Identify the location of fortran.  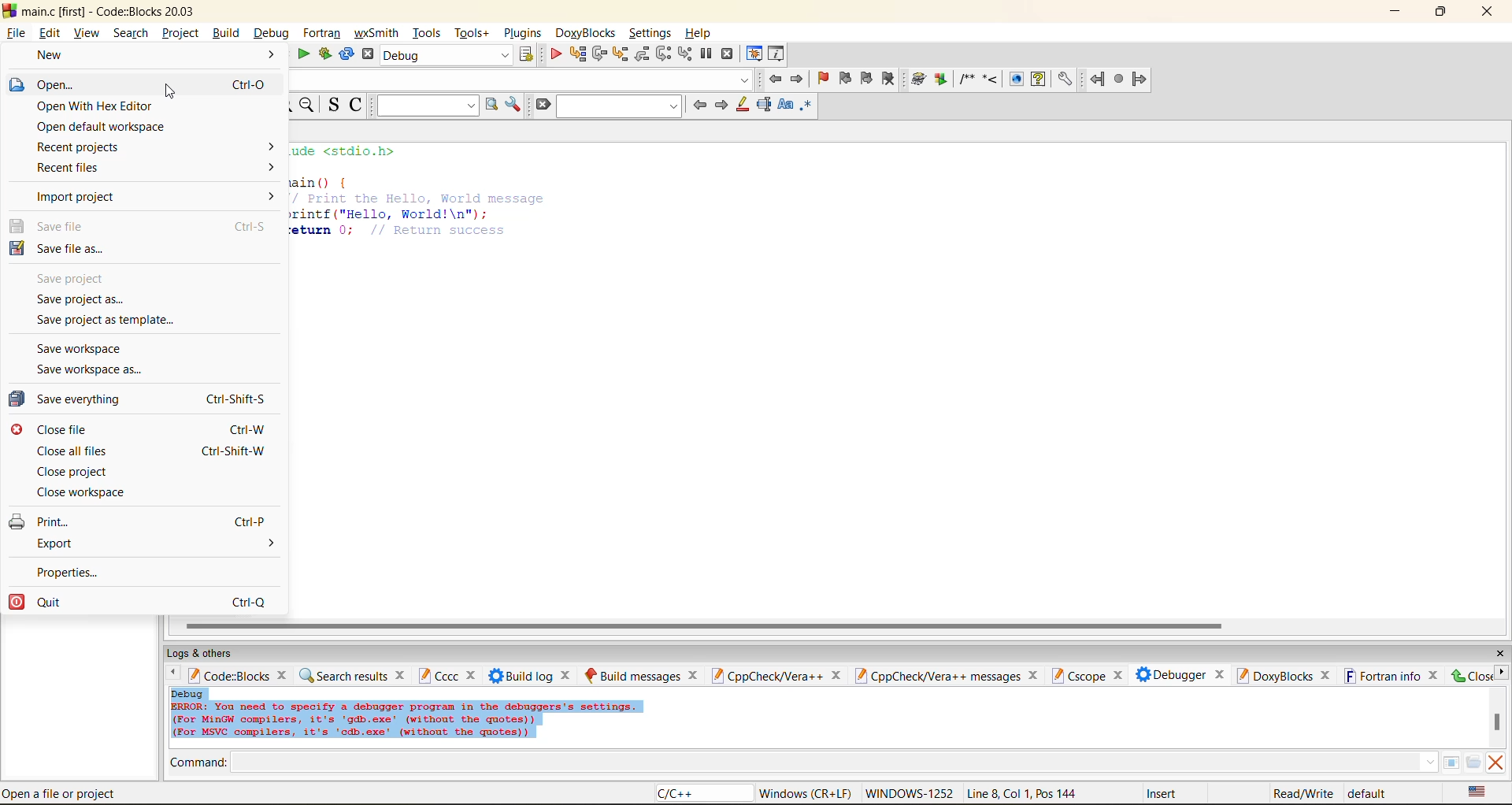
(322, 33).